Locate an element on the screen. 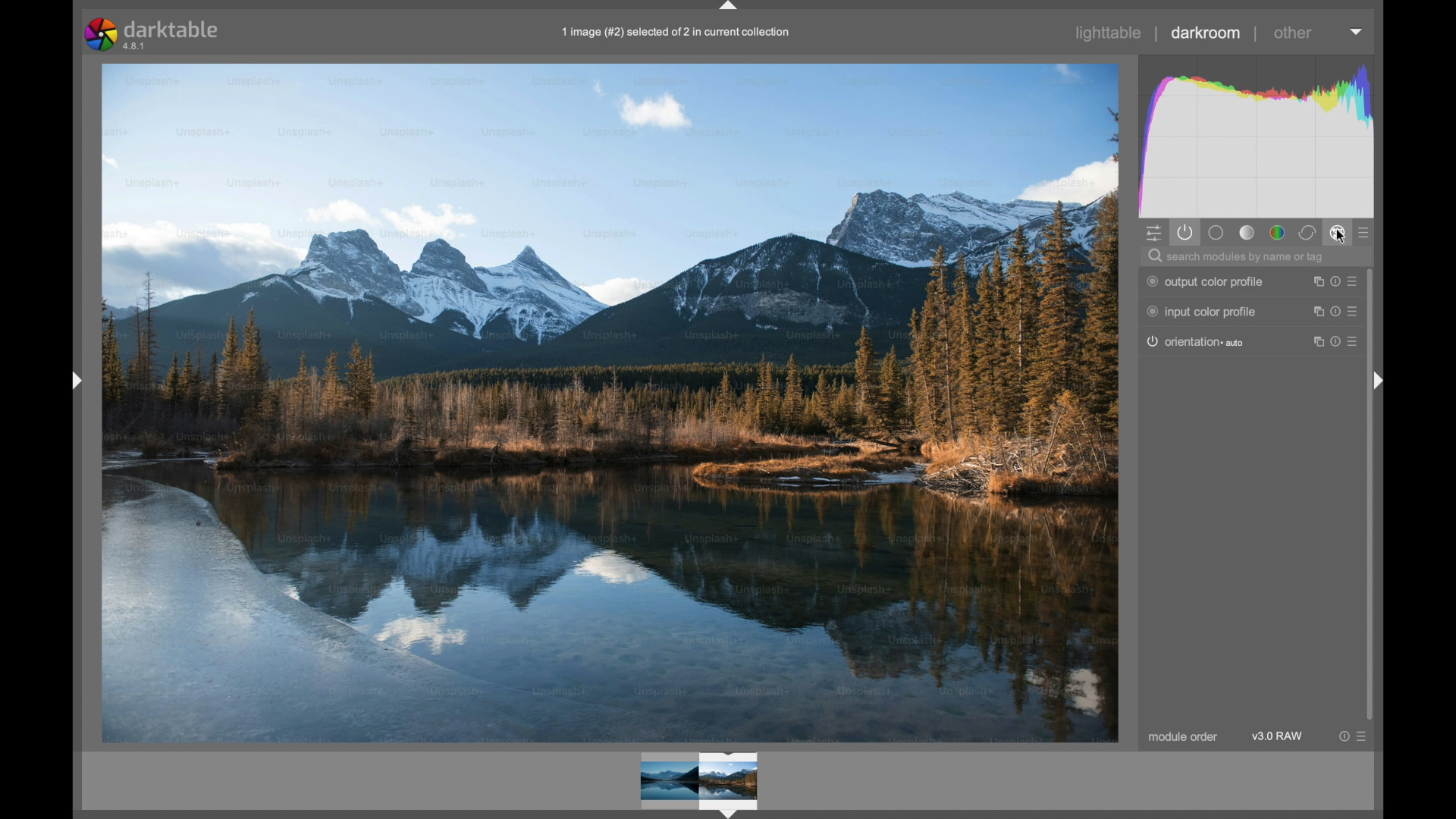 The width and height of the screenshot is (1456, 819). input color profile is located at coordinates (1203, 312).